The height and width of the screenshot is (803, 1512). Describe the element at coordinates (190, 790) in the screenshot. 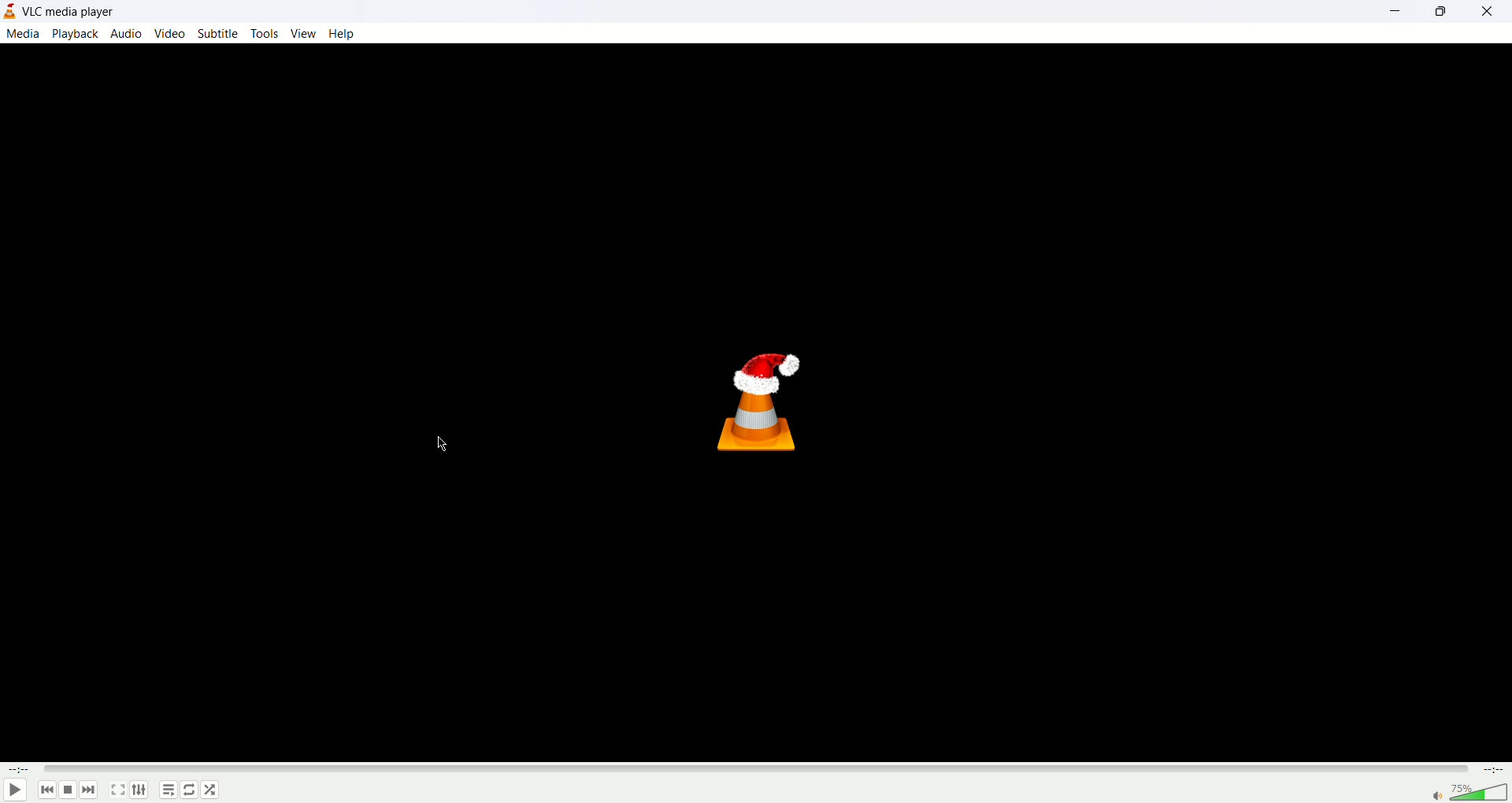

I see `toggle loop` at that location.